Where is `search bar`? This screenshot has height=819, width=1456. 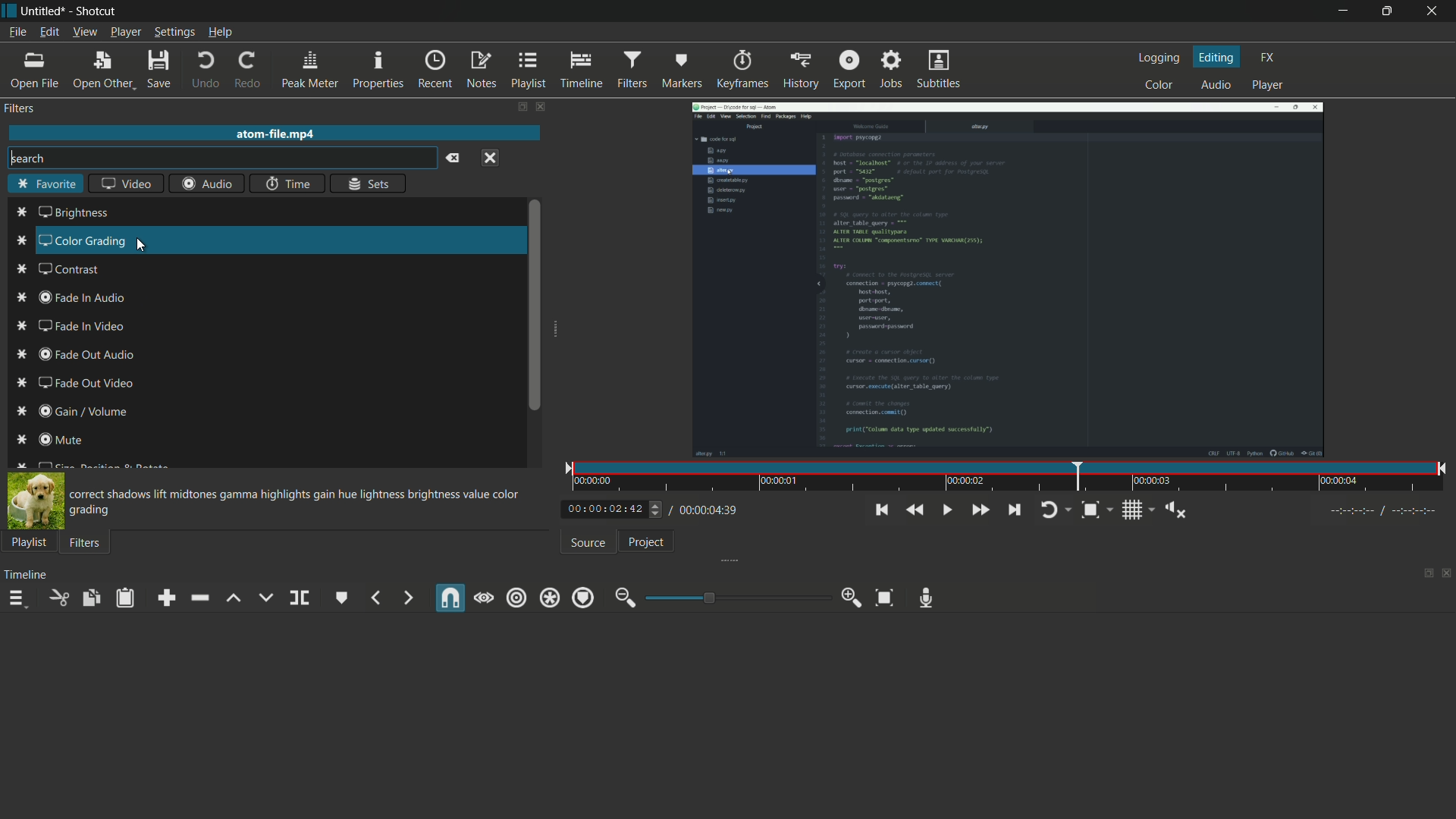
search bar is located at coordinates (222, 158).